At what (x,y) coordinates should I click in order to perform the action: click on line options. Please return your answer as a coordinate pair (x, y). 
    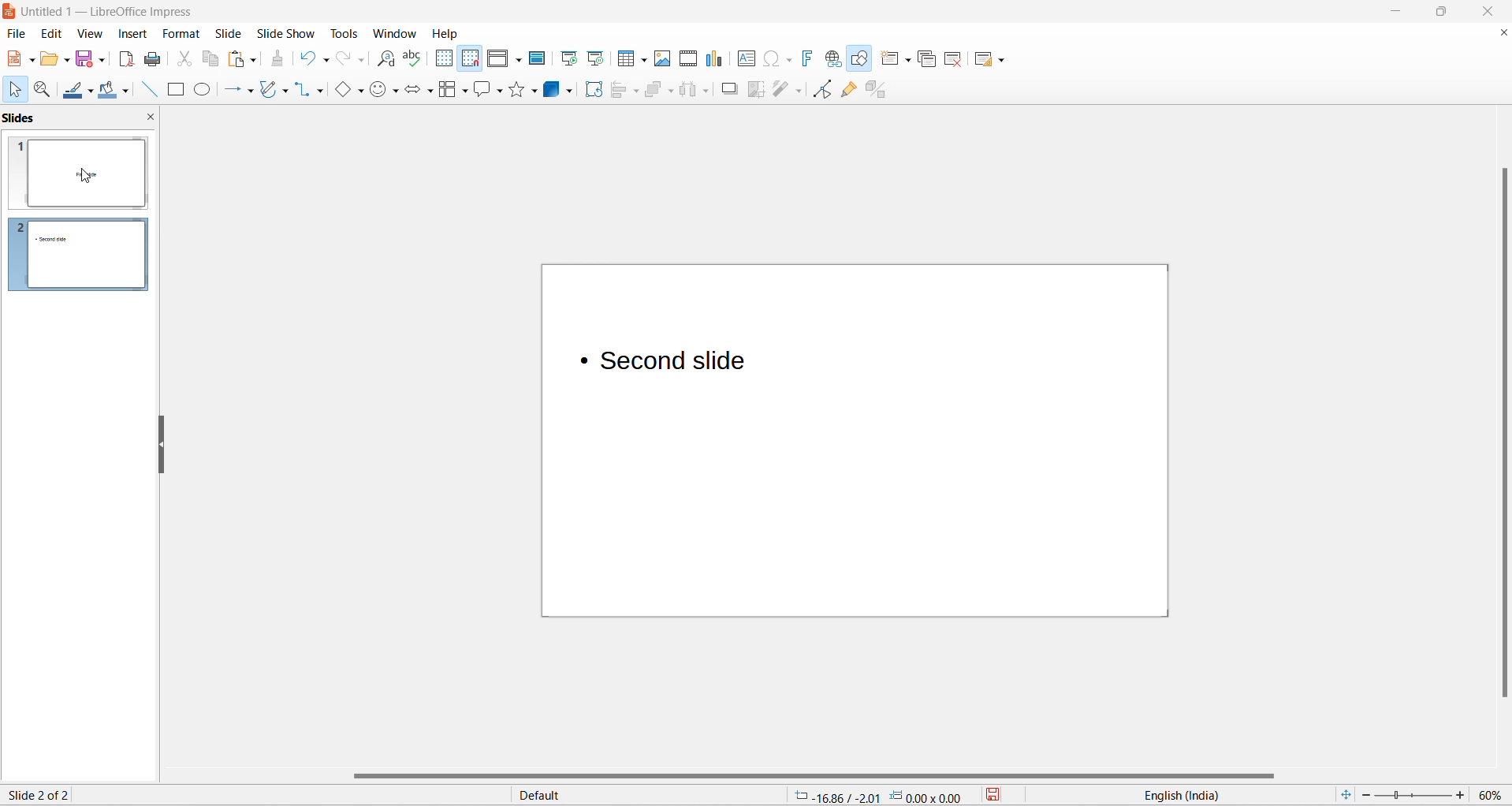
    Looking at the image, I should click on (253, 91).